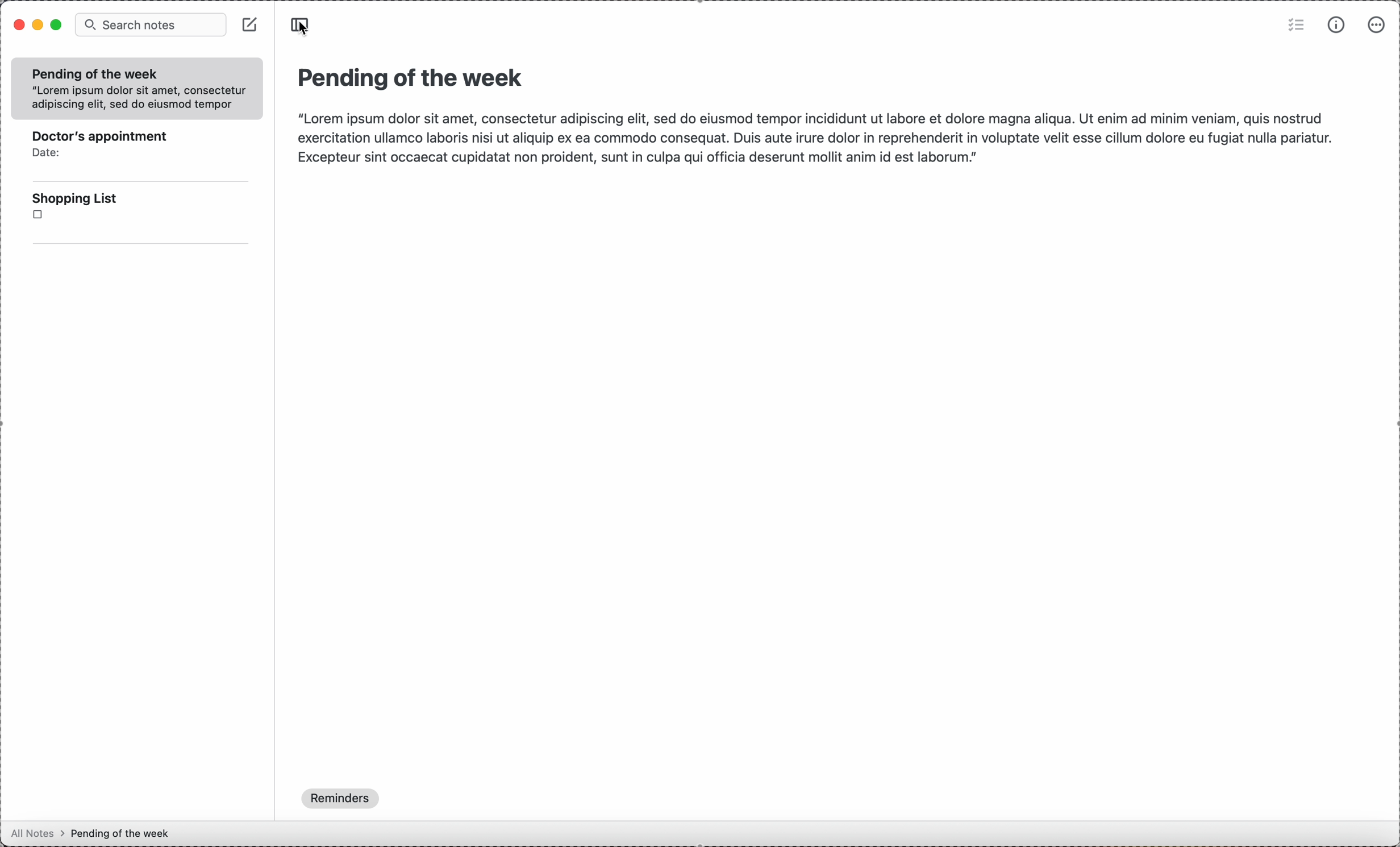  Describe the element at coordinates (111, 213) in the screenshot. I see `shopping list note` at that location.